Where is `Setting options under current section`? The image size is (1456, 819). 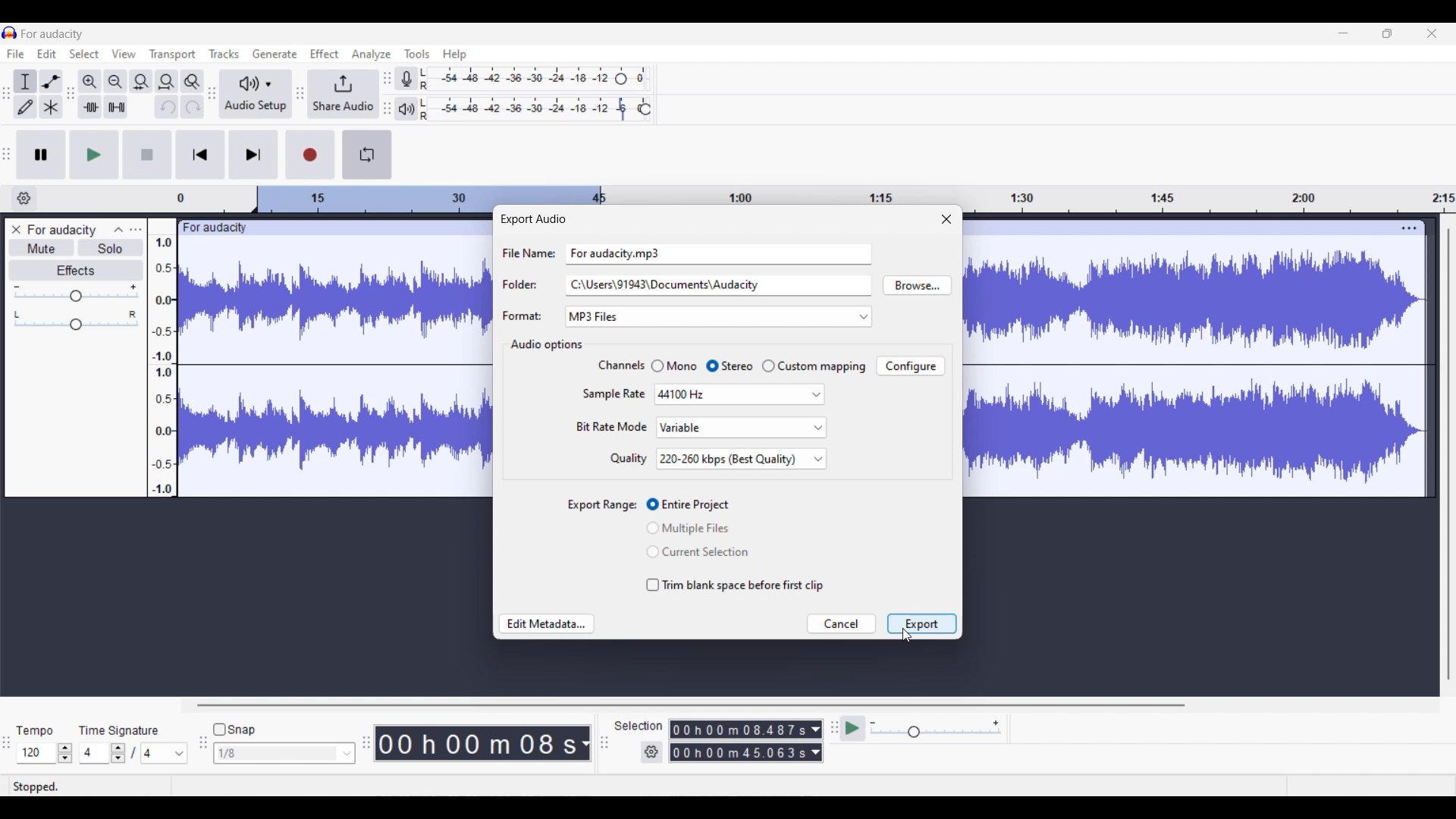
Setting options under current section is located at coordinates (610, 413).